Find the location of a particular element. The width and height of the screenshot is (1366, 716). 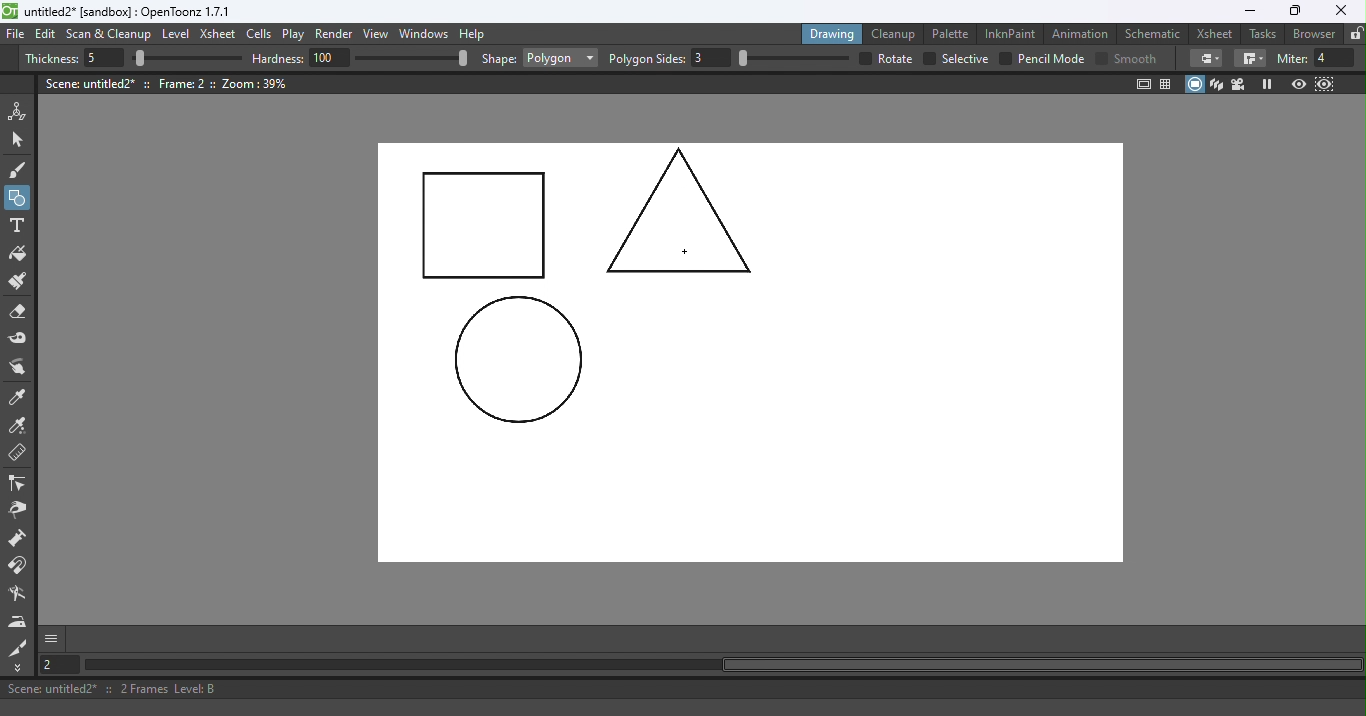

Geometric tool is located at coordinates (19, 198).